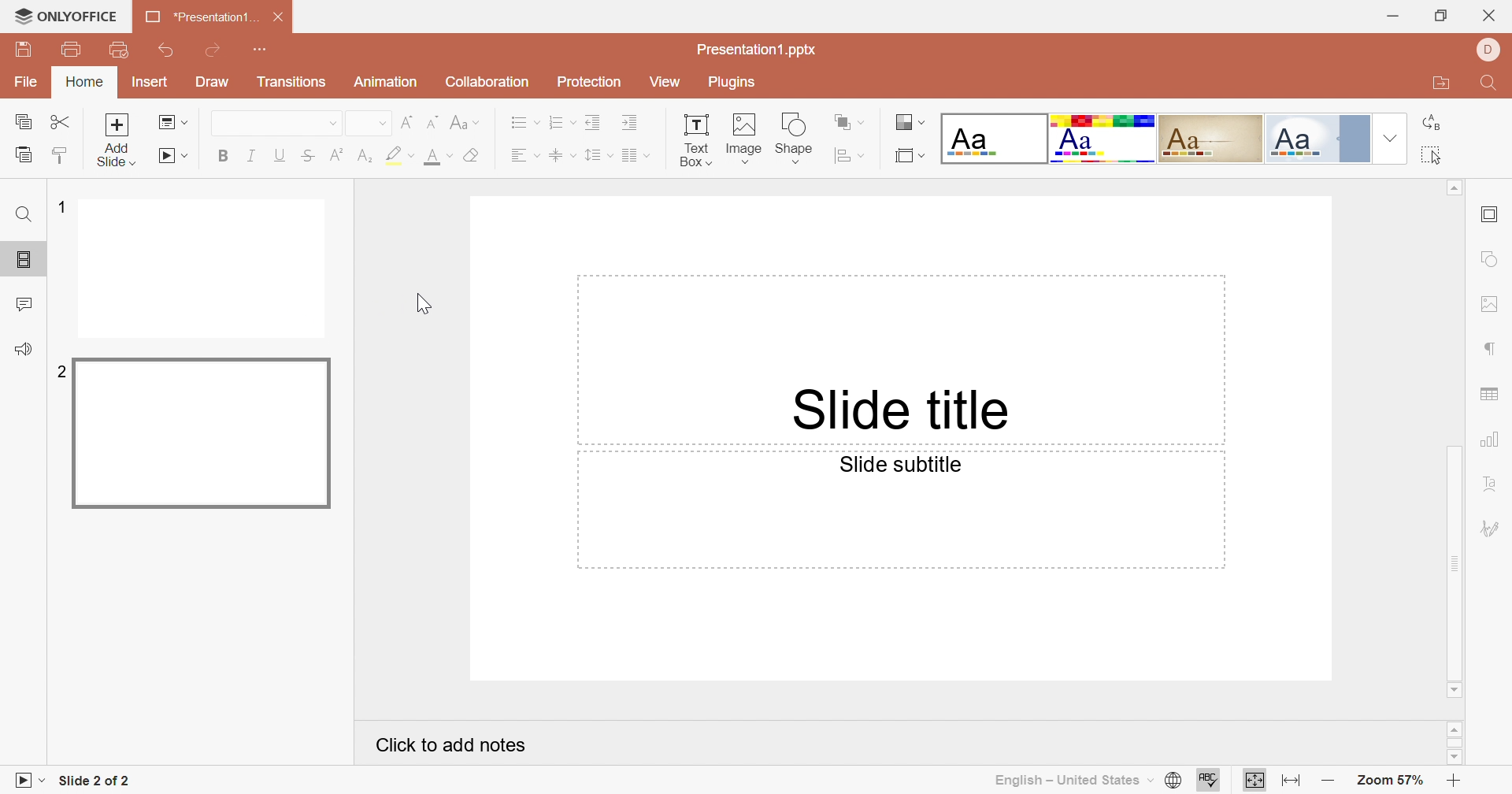 The height and width of the screenshot is (794, 1512). I want to click on Subscript, so click(364, 155).